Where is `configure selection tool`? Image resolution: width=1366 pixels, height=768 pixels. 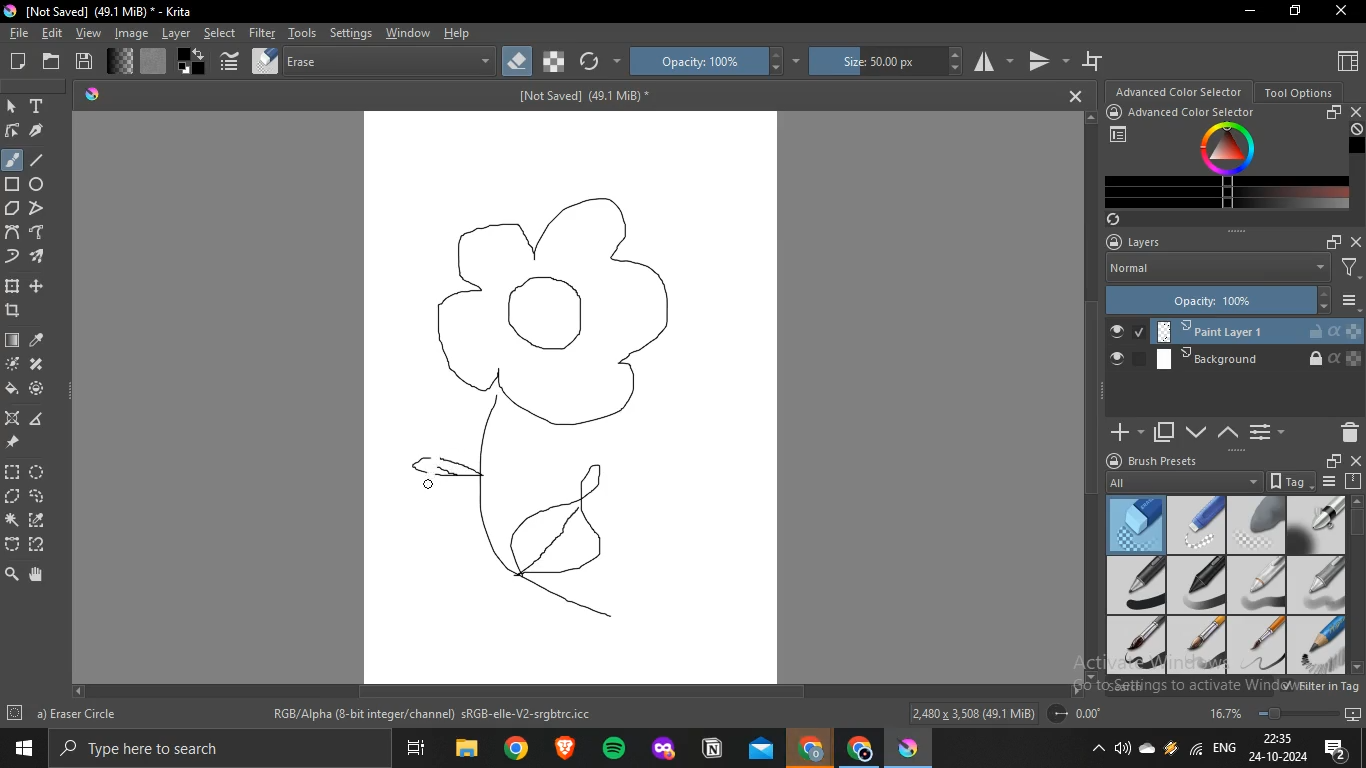 configure selection tool is located at coordinates (14, 520).